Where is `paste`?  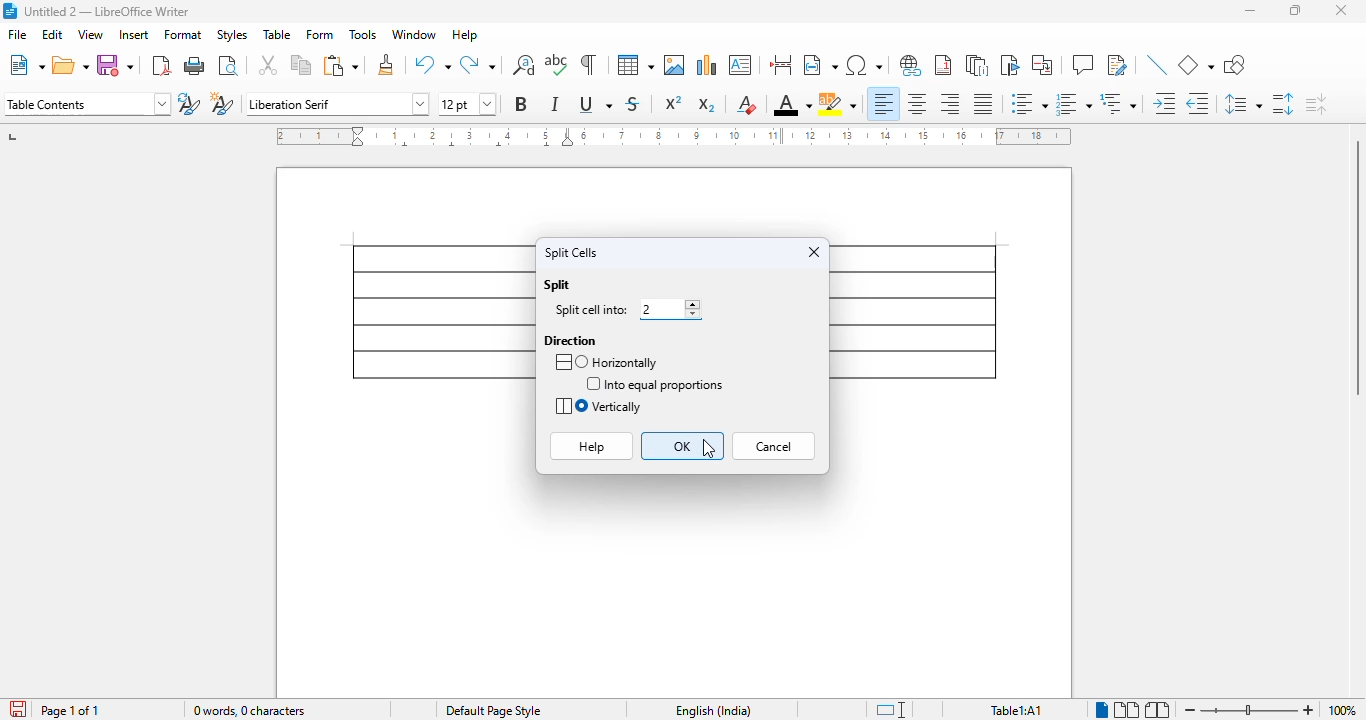
paste is located at coordinates (342, 65).